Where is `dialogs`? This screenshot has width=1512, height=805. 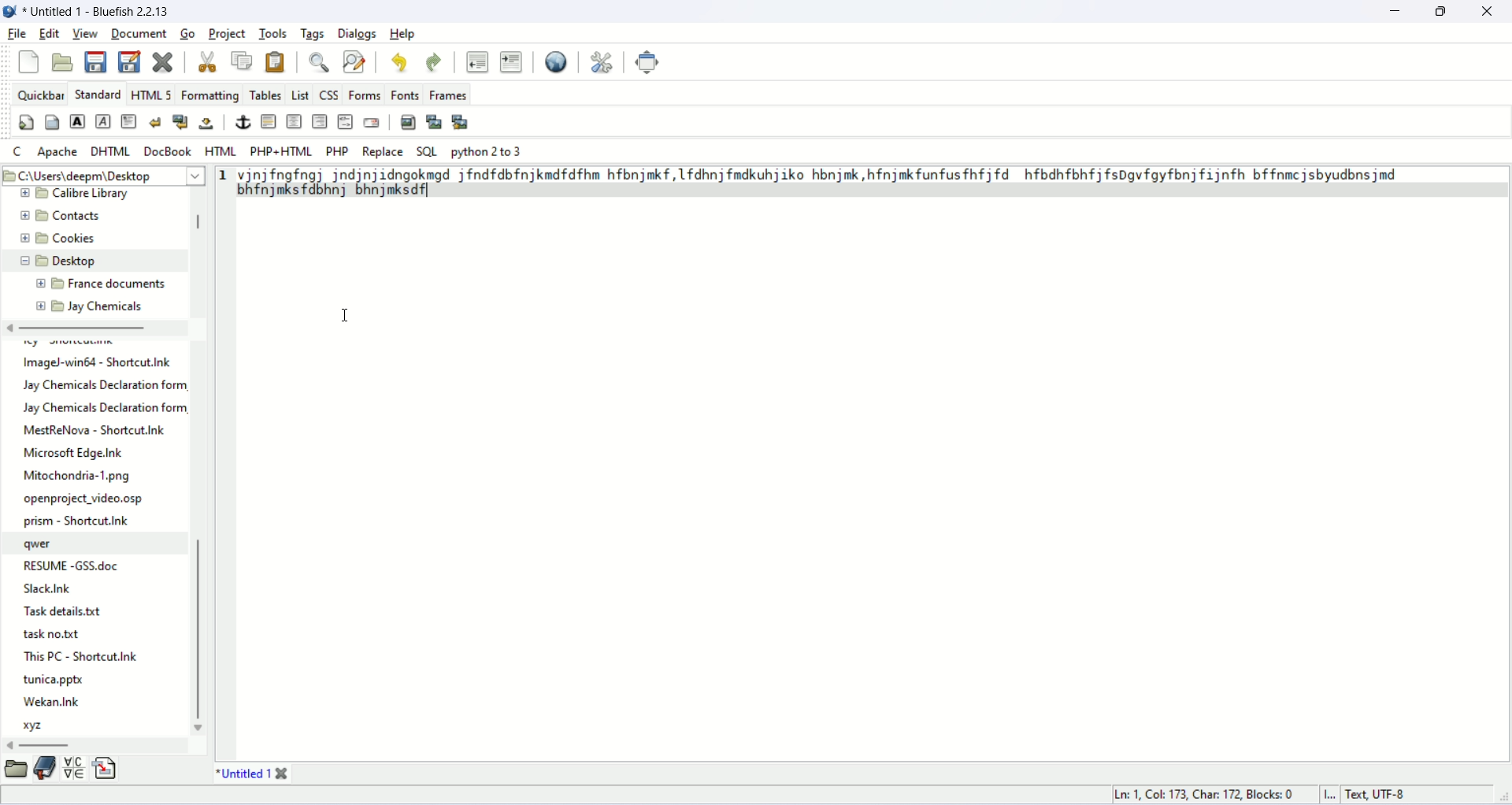
dialogs is located at coordinates (357, 33).